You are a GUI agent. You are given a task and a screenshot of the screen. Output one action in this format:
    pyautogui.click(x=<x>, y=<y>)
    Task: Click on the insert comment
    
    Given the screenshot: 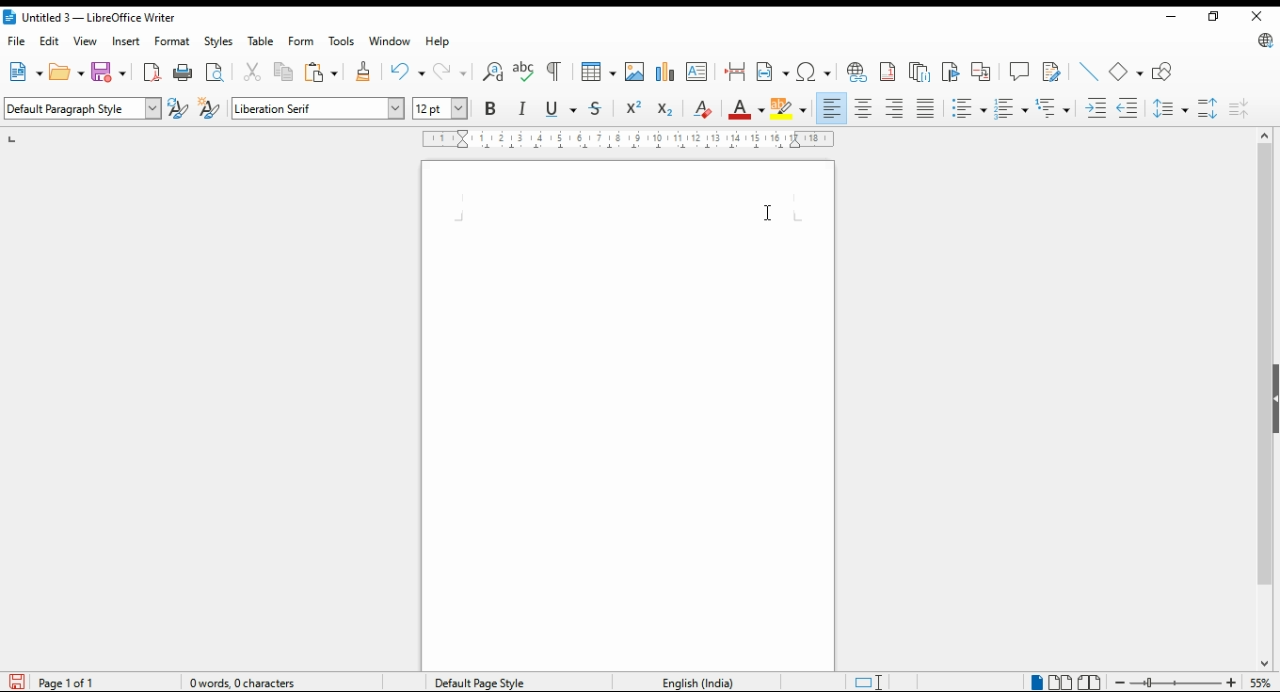 What is the action you would take?
    pyautogui.click(x=1019, y=70)
    